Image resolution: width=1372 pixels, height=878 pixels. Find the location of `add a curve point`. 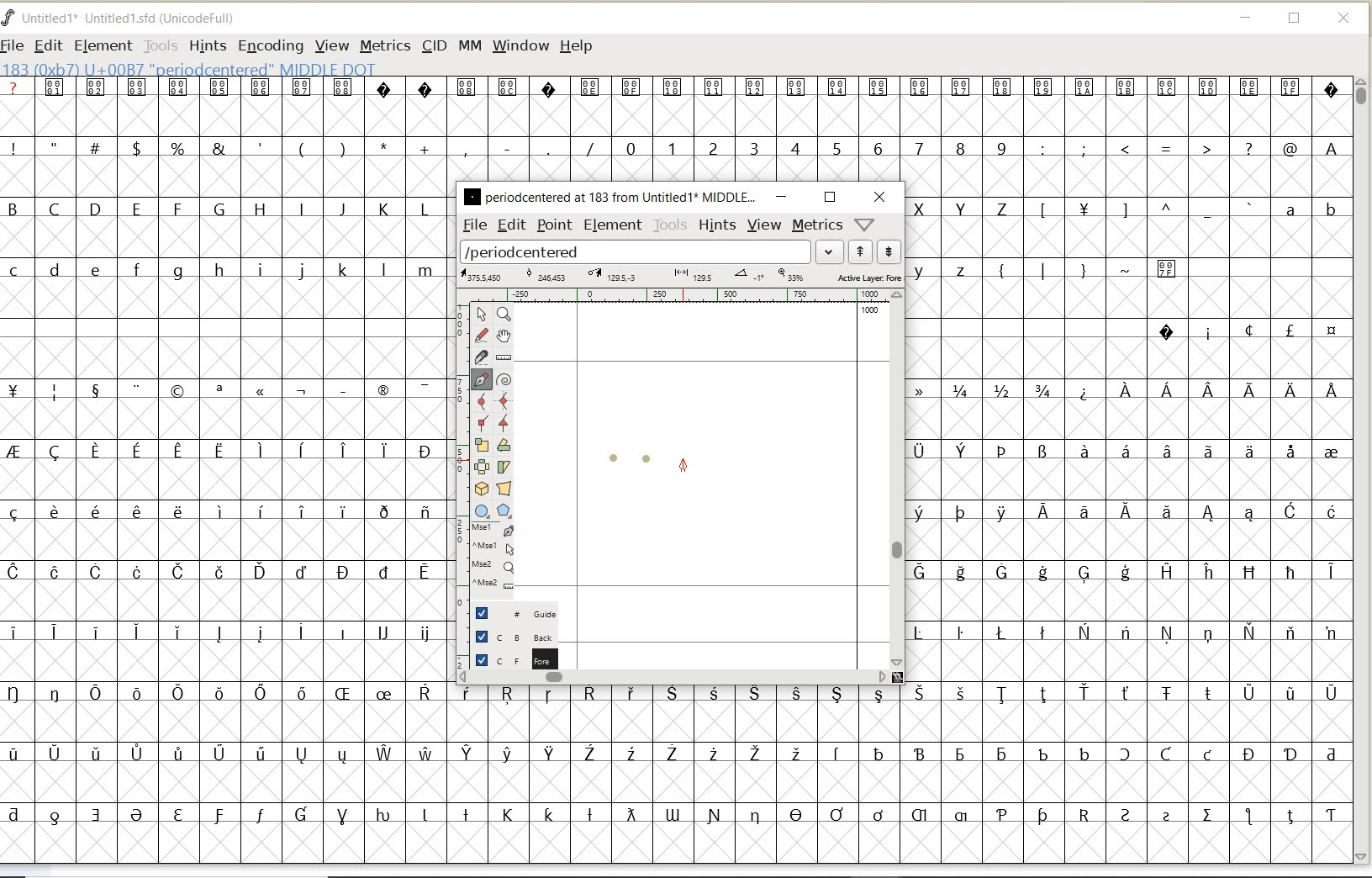

add a curve point is located at coordinates (483, 399).